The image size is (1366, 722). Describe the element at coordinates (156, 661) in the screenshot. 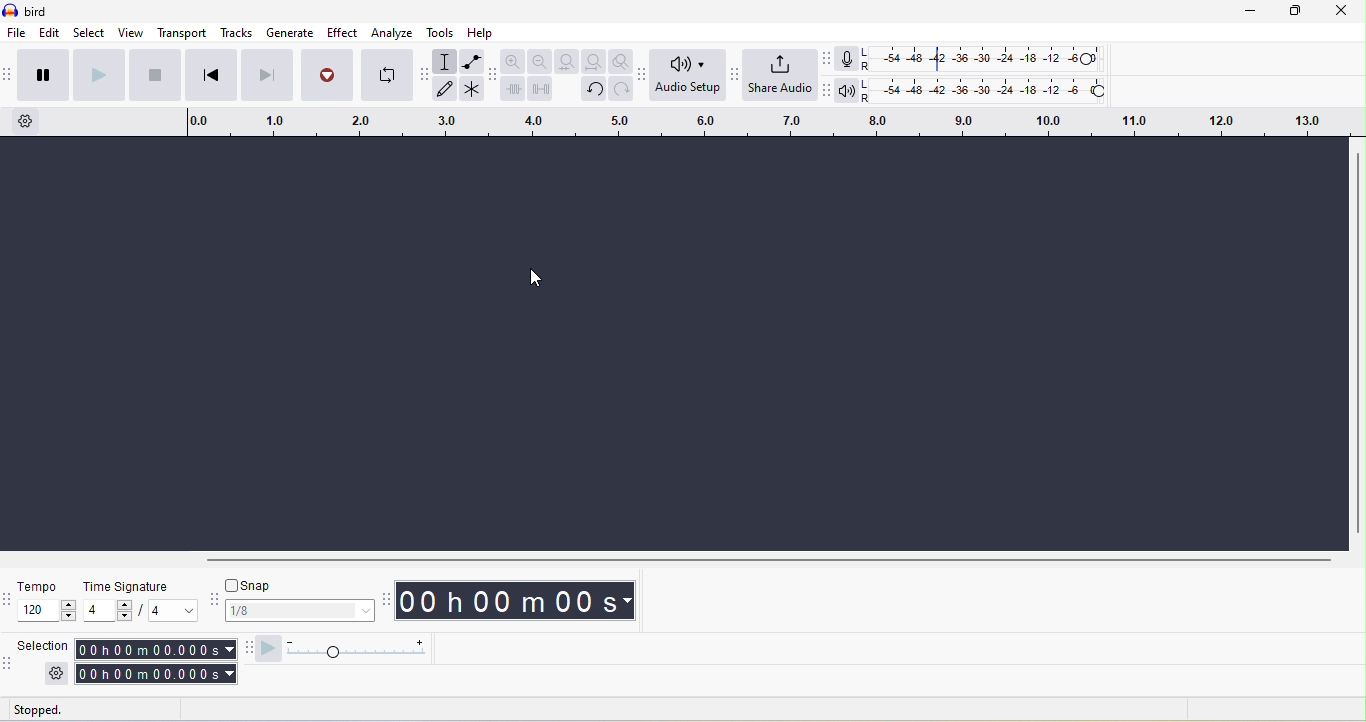

I see `selection` at that location.